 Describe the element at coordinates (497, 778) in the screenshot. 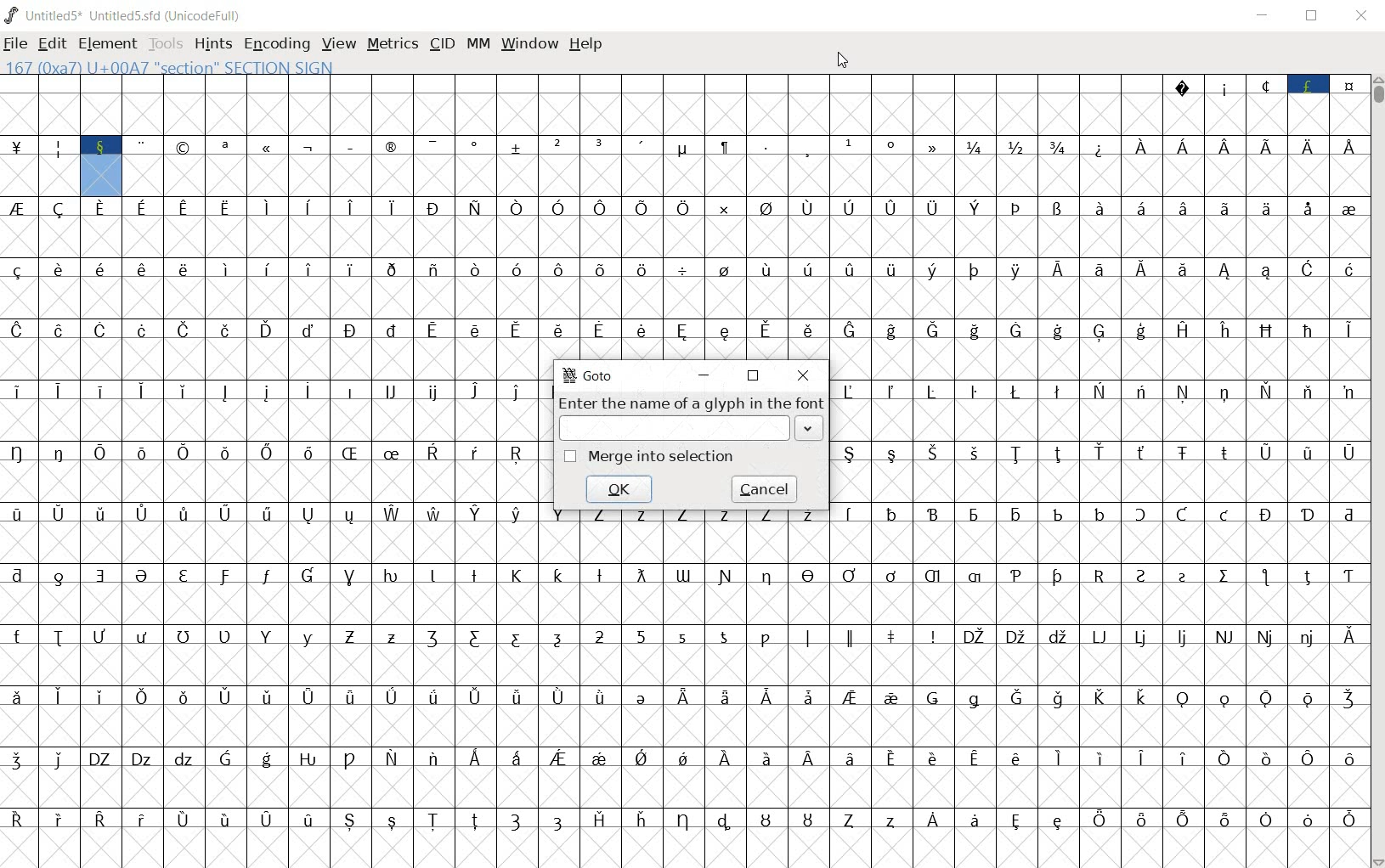

I see `Latin extended characters` at that location.